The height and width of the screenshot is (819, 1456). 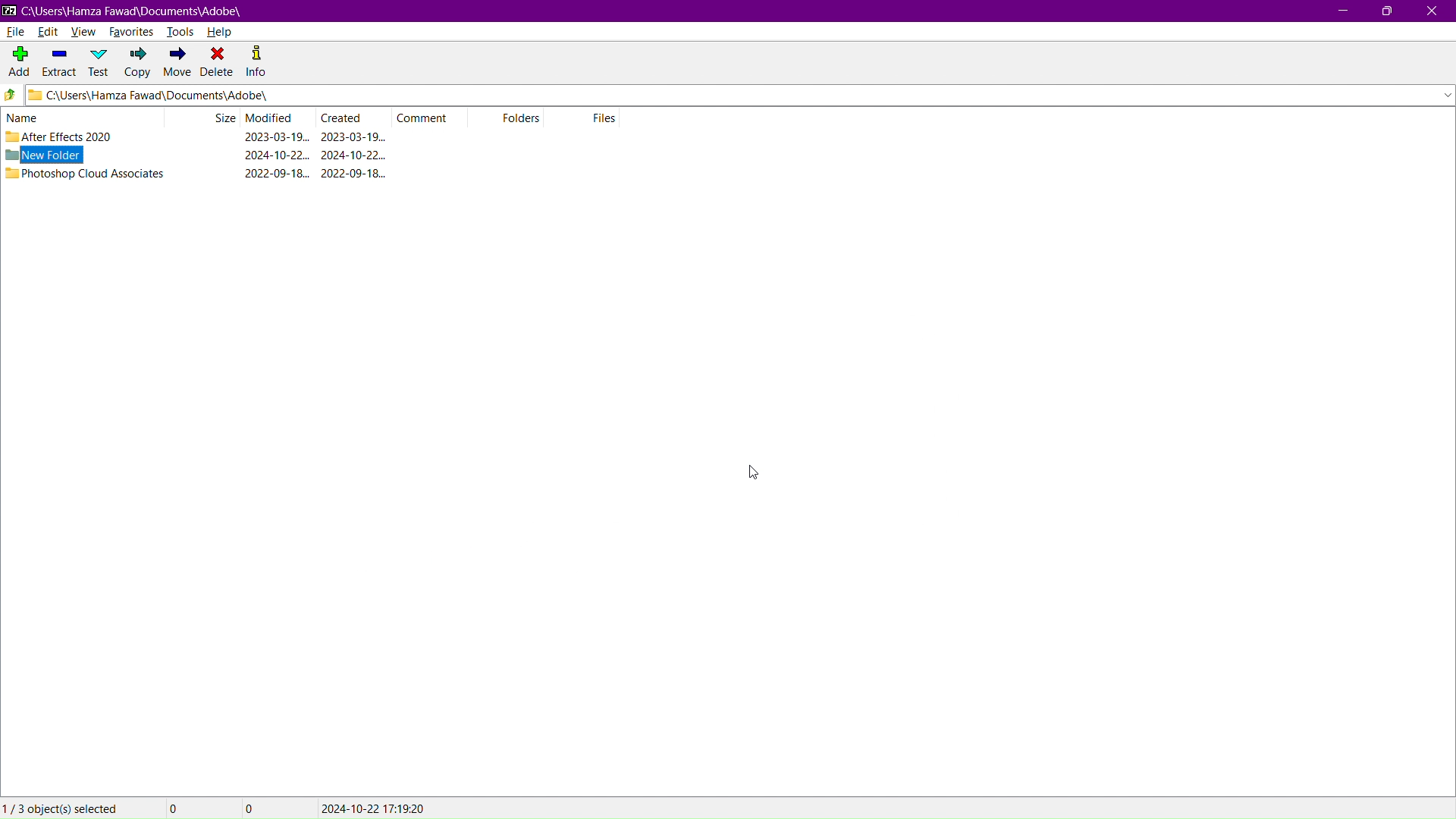 I want to click on Window Name, so click(x=123, y=11).